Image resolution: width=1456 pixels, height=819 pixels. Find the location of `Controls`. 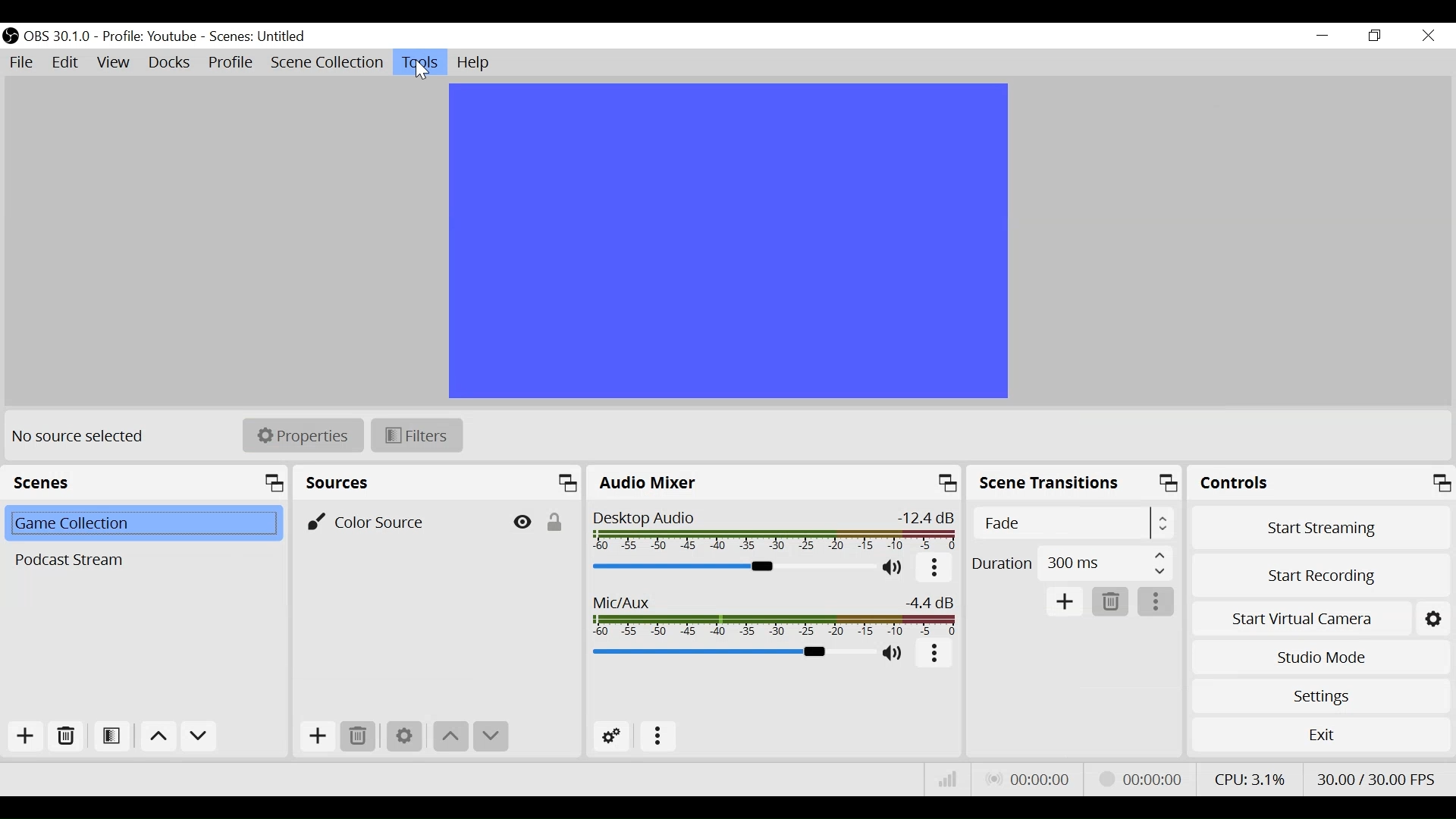

Controls is located at coordinates (1319, 483).